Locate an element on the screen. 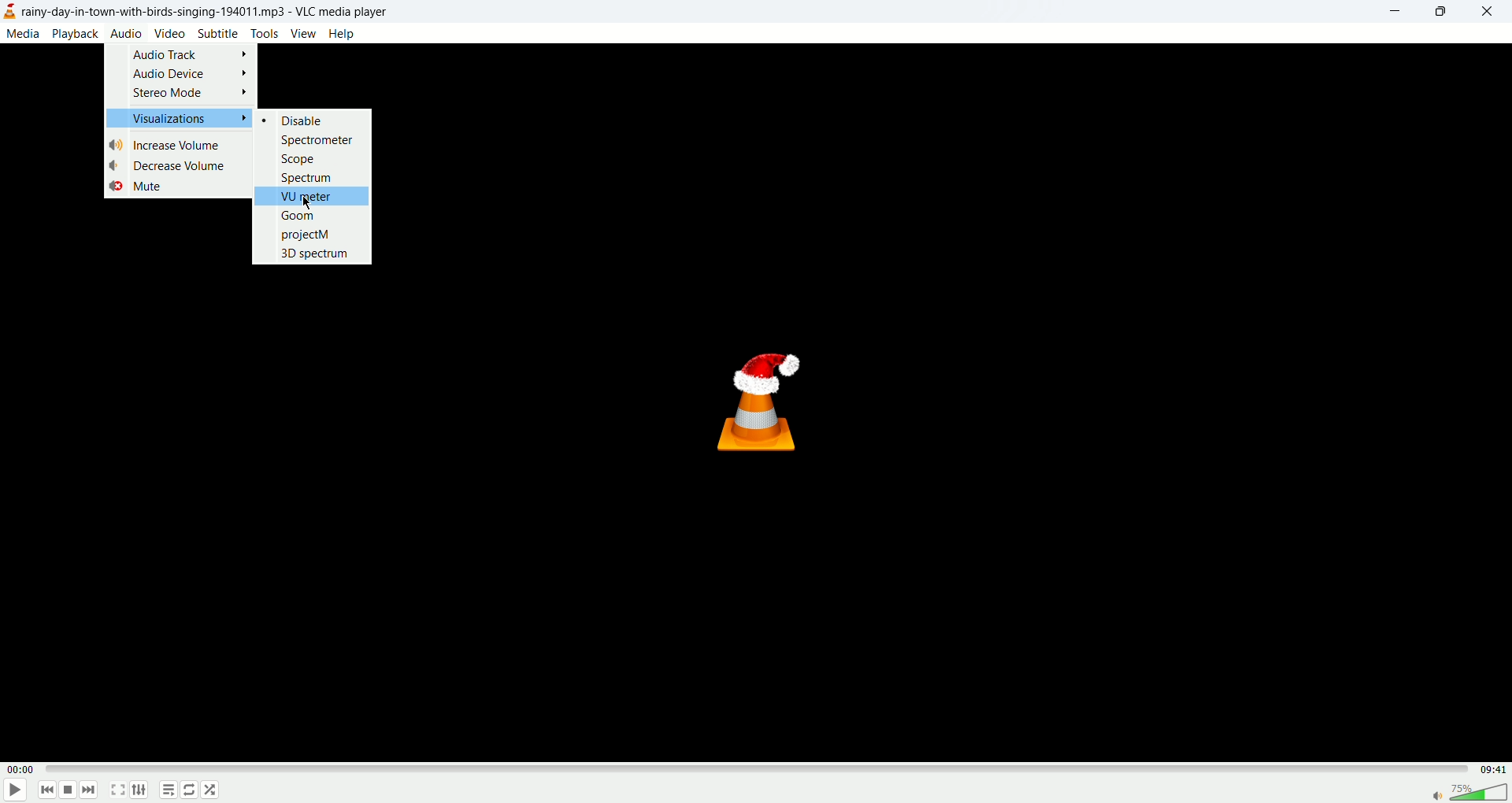 This screenshot has width=1512, height=803. audio device is located at coordinates (191, 75).